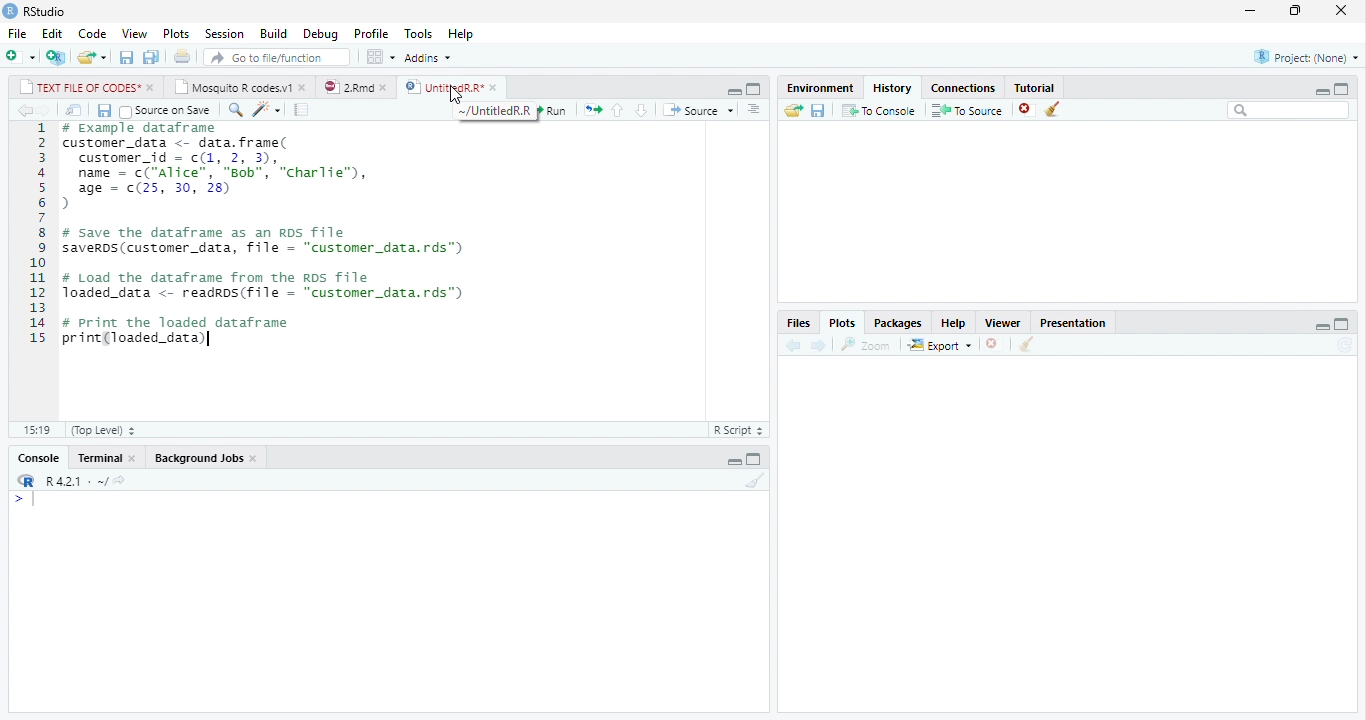 This screenshot has height=720, width=1366. I want to click on search, so click(236, 110).